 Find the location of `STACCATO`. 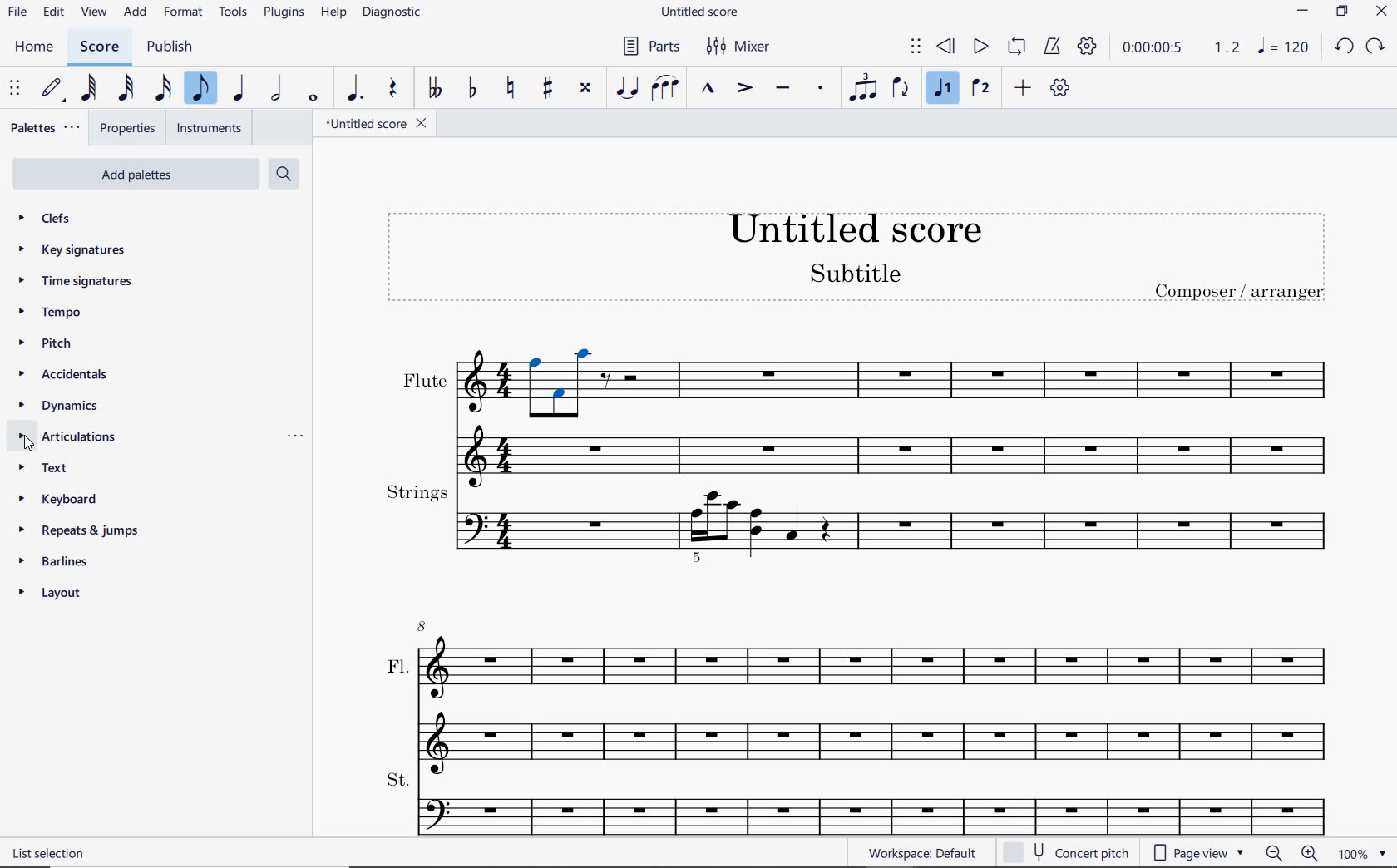

STACCATO is located at coordinates (822, 89).